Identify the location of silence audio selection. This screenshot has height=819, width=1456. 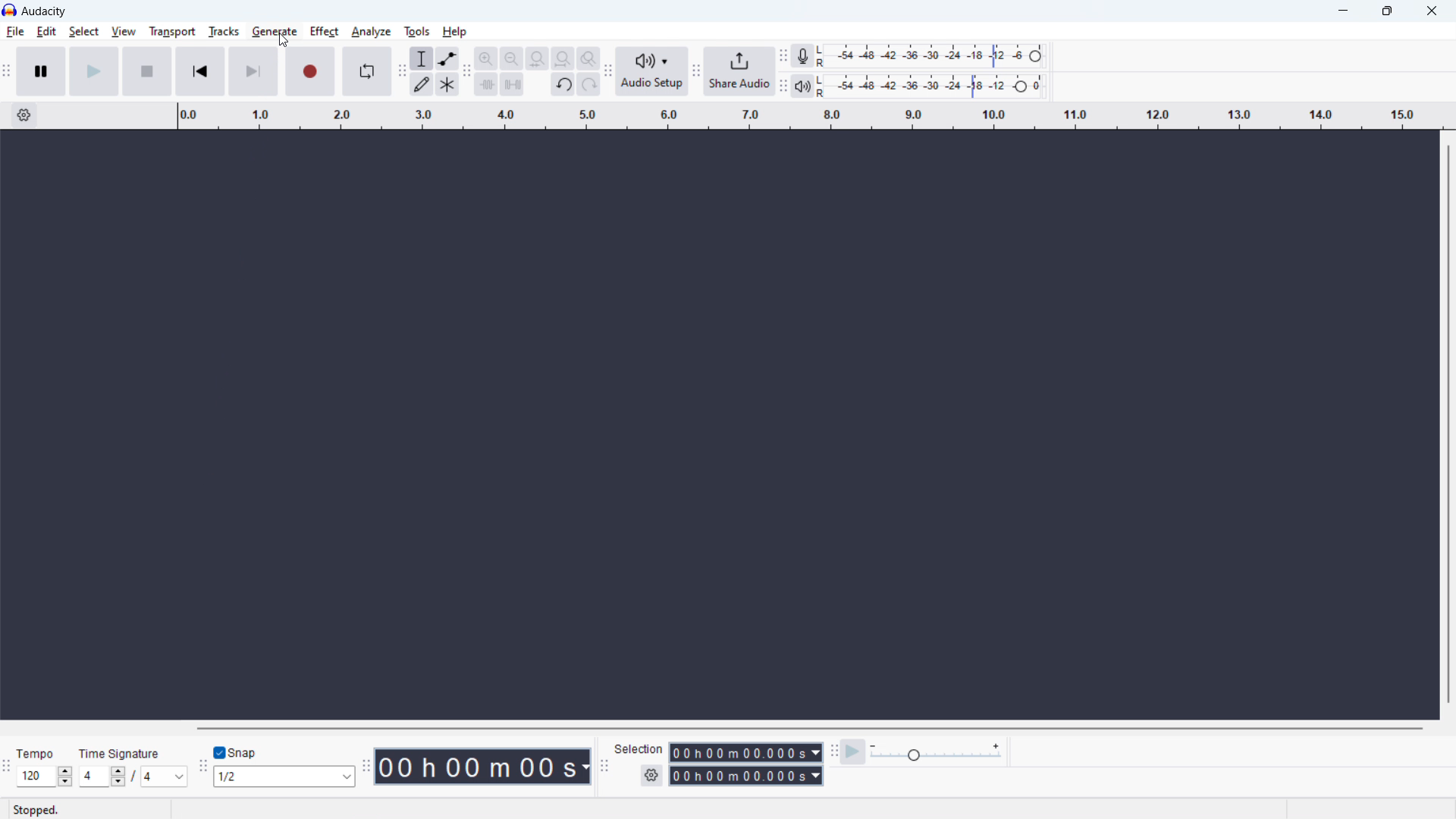
(512, 83).